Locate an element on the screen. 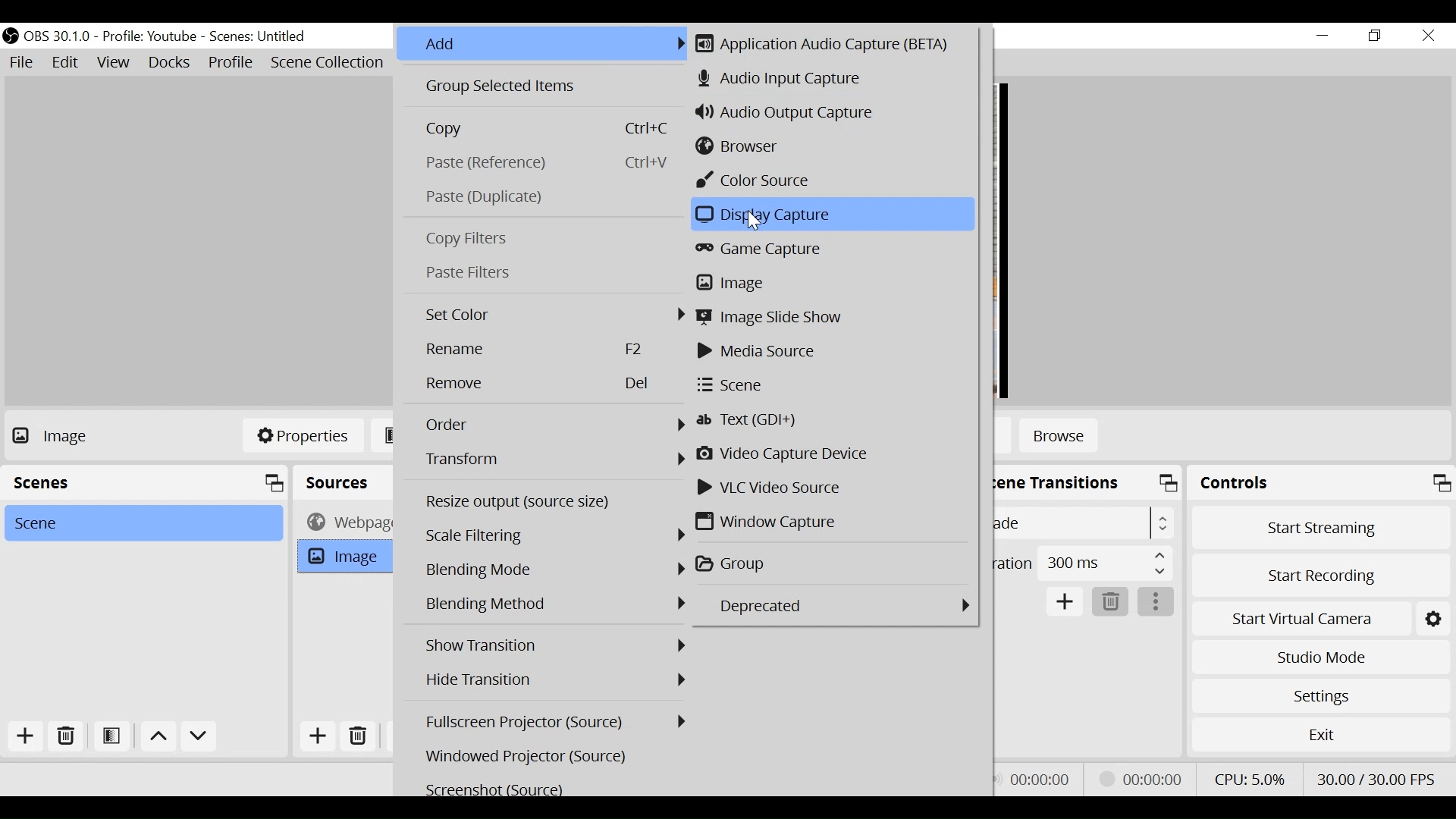 The image size is (1456, 819). OBS Version is located at coordinates (58, 37).